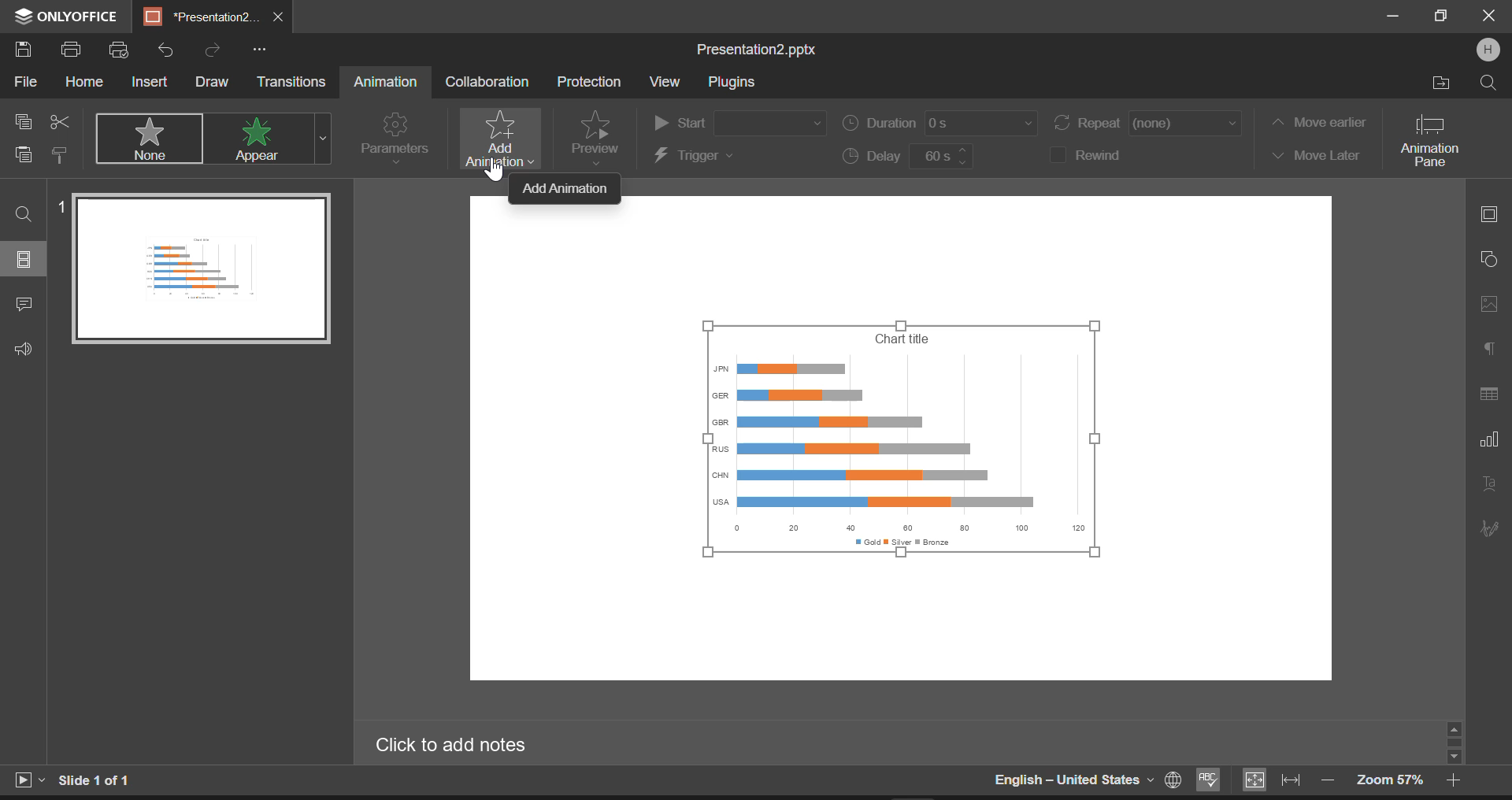 The image size is (1512, 800). What do you see at coordinates (906, 157) in the screenshot?
I see `Delay` at bounding box center [906, 157].